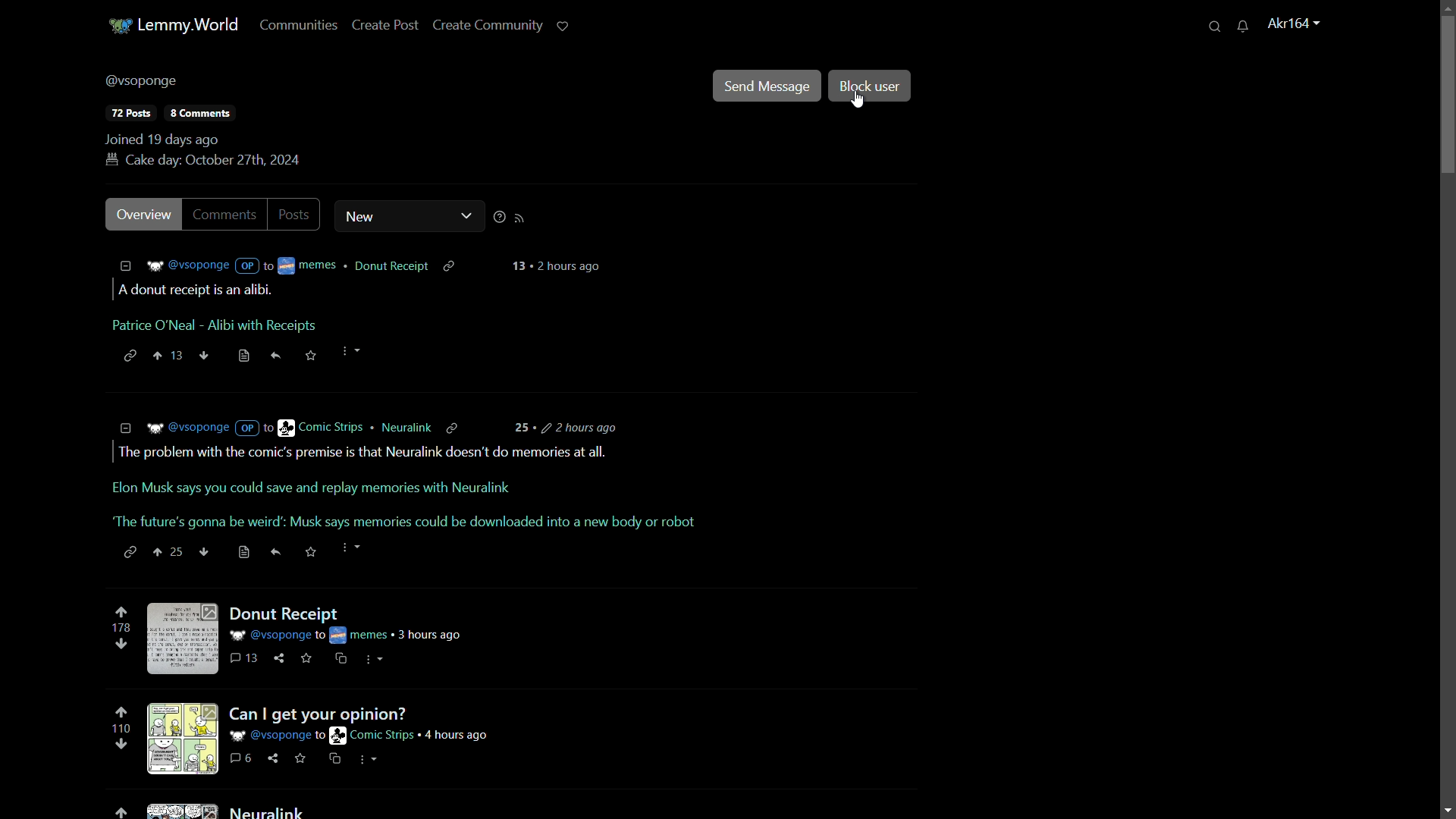 This screenshot has height=819, width=1456. I want to click on overview, so click(143, 215).